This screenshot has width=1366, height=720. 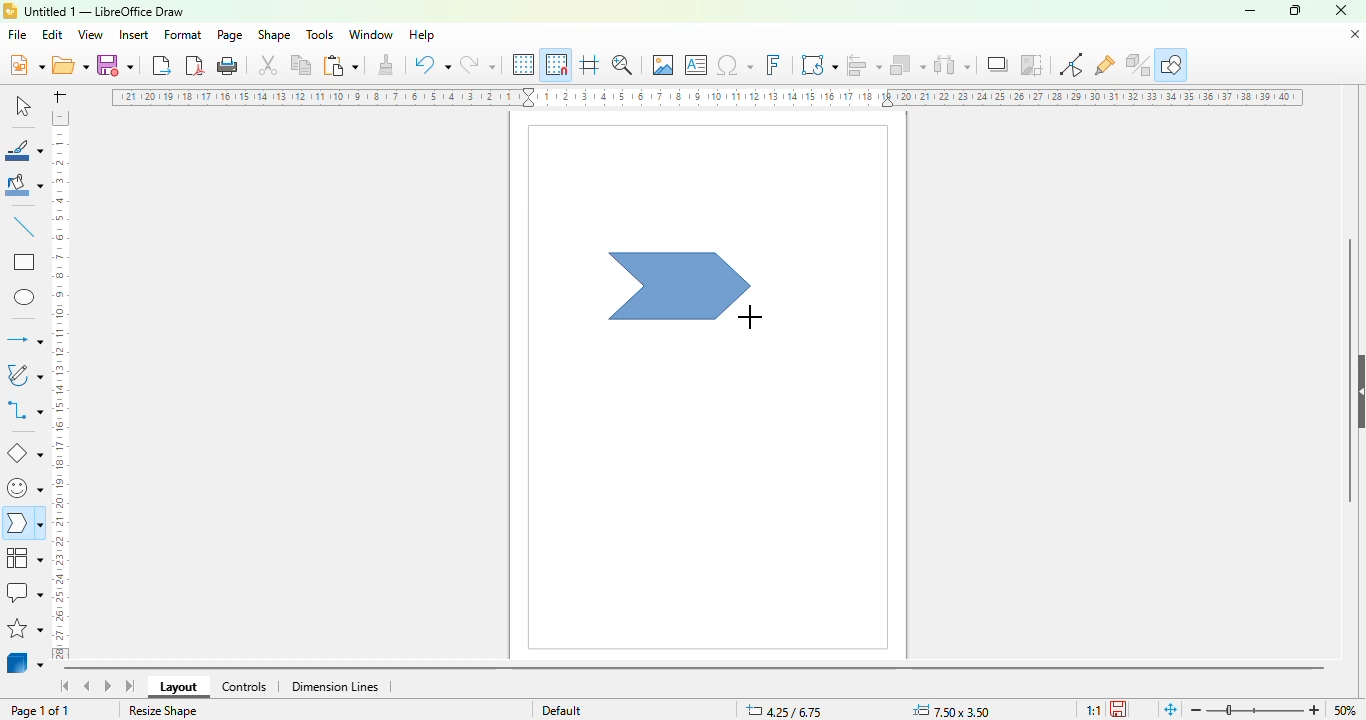 What do you see at coordinates (23, 489) in the screenshot?
I see `symbol shapes` at bounding box center [23, 489].